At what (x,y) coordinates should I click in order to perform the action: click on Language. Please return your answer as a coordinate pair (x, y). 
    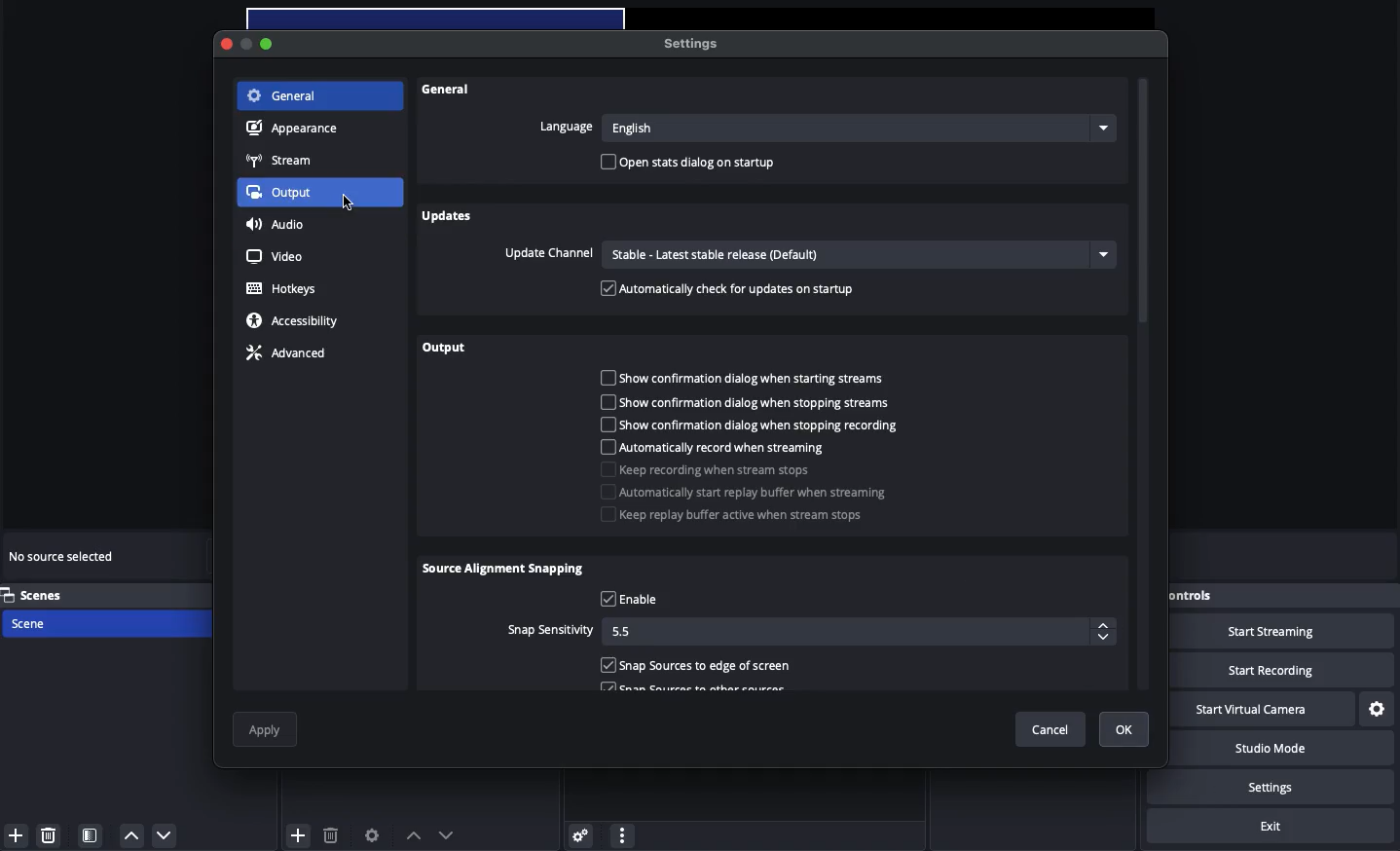
    Looking at the image, I should click on (564, 128).